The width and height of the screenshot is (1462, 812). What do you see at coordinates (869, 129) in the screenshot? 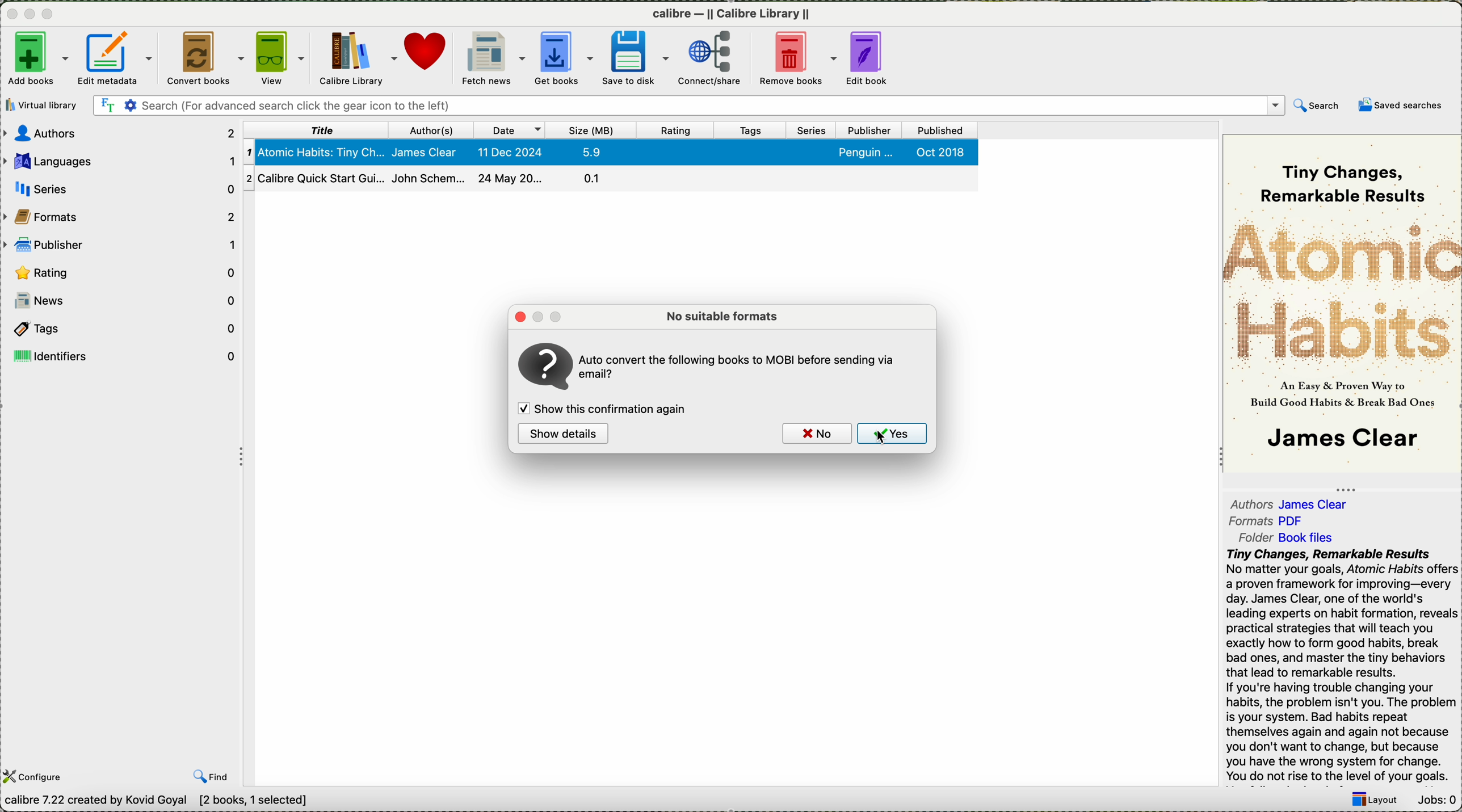
I see `publisher` at bounding box center [869, 129].